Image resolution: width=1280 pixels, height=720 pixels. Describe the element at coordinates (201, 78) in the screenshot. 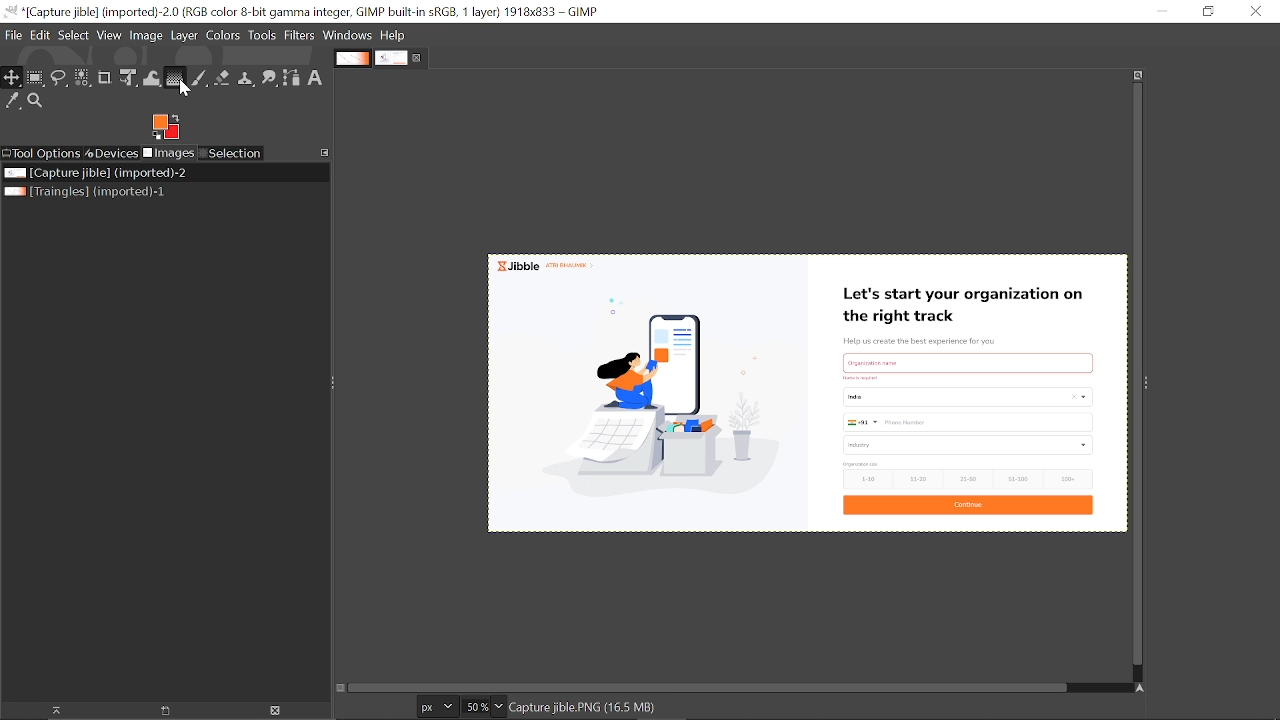

I see `Paintbrush tool` at that location.